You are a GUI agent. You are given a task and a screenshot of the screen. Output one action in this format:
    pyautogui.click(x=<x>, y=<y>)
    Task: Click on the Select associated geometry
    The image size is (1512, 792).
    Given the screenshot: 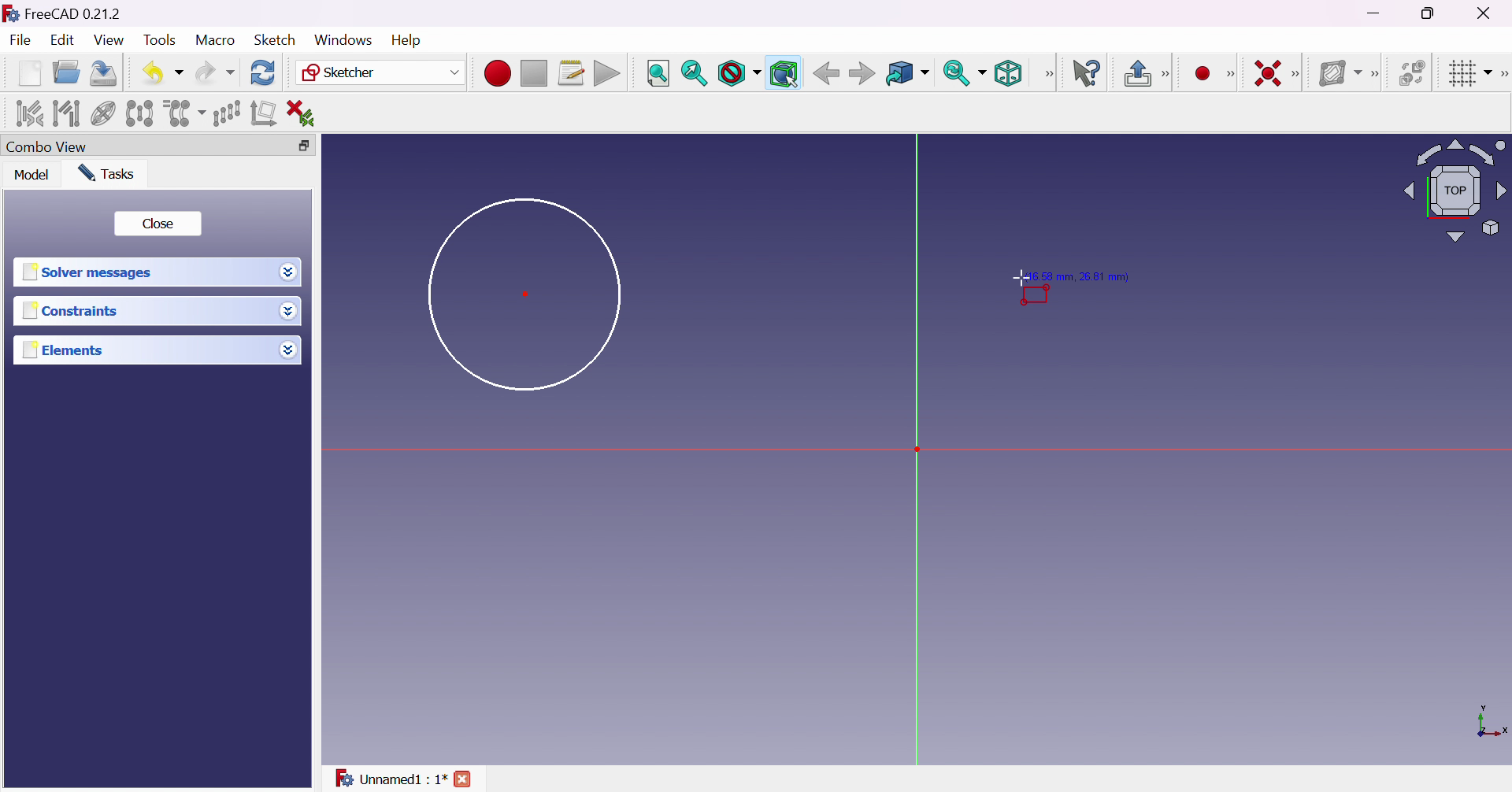 What is the action you would take?
    pyautogui.click(x=67, y=112)
    